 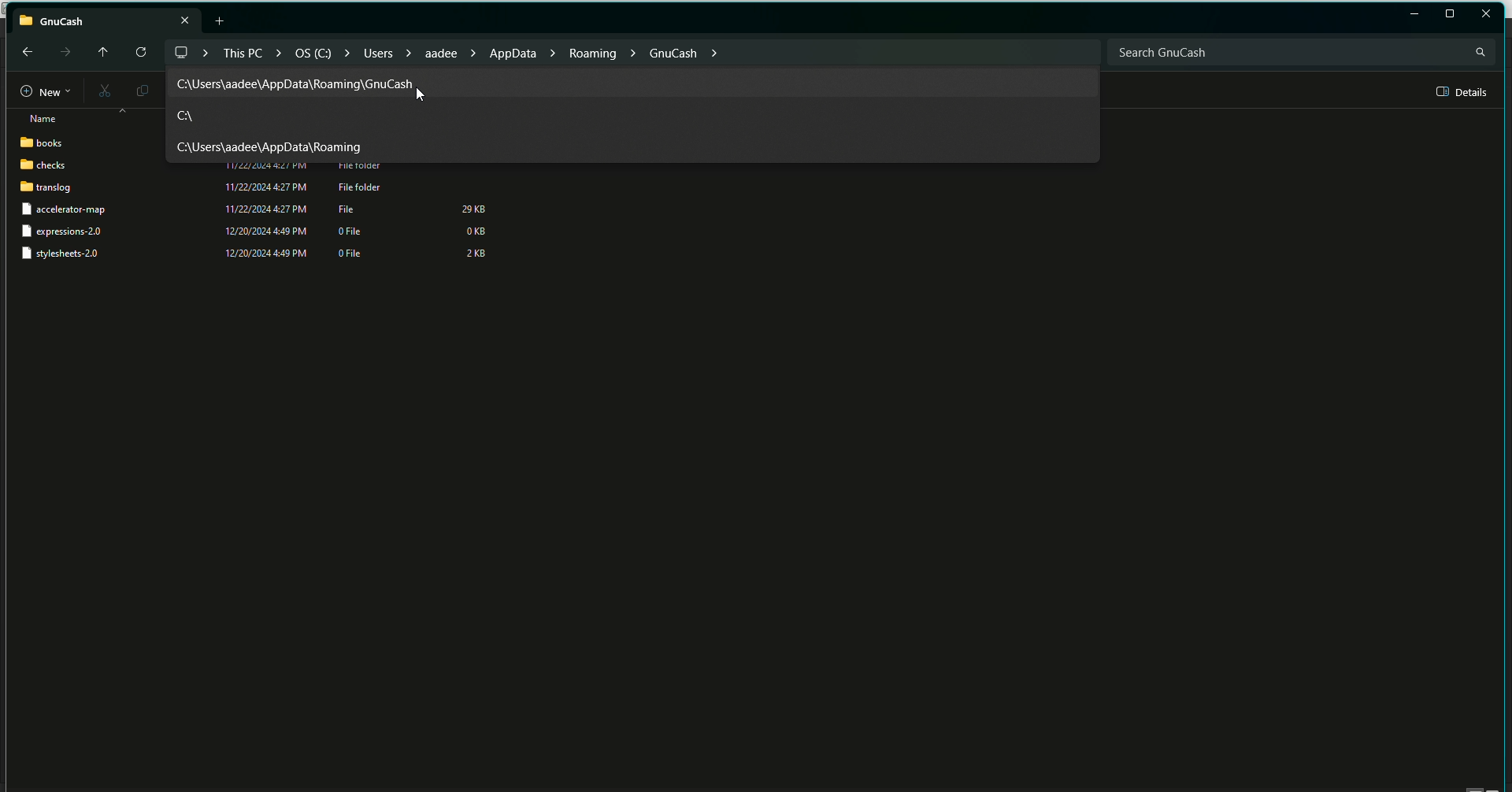 I want to click on New tab, so click(x=222, y=20).